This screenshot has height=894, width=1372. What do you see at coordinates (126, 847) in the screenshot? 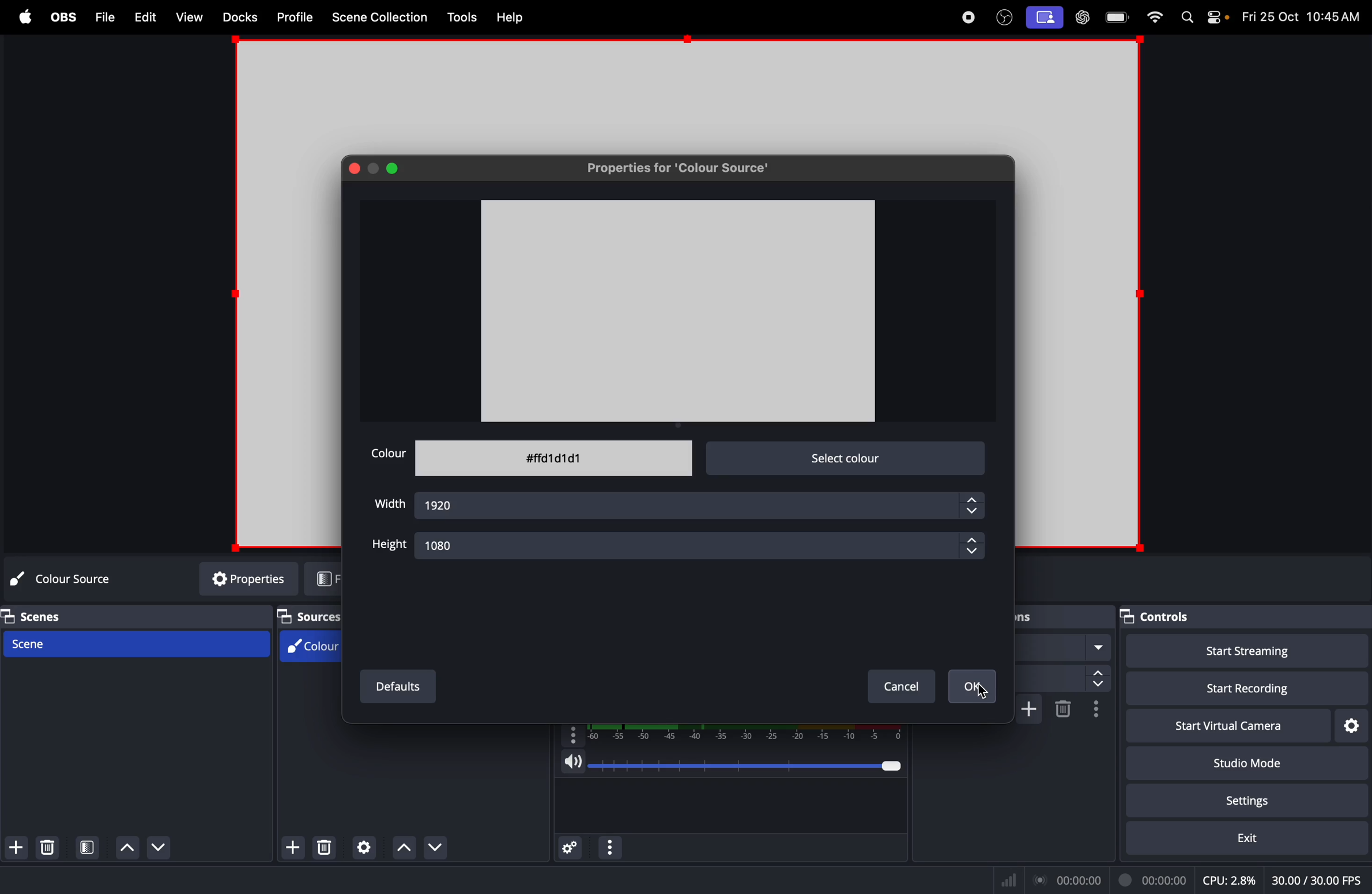
I see `move scene down` at bounding box center [126, 847].